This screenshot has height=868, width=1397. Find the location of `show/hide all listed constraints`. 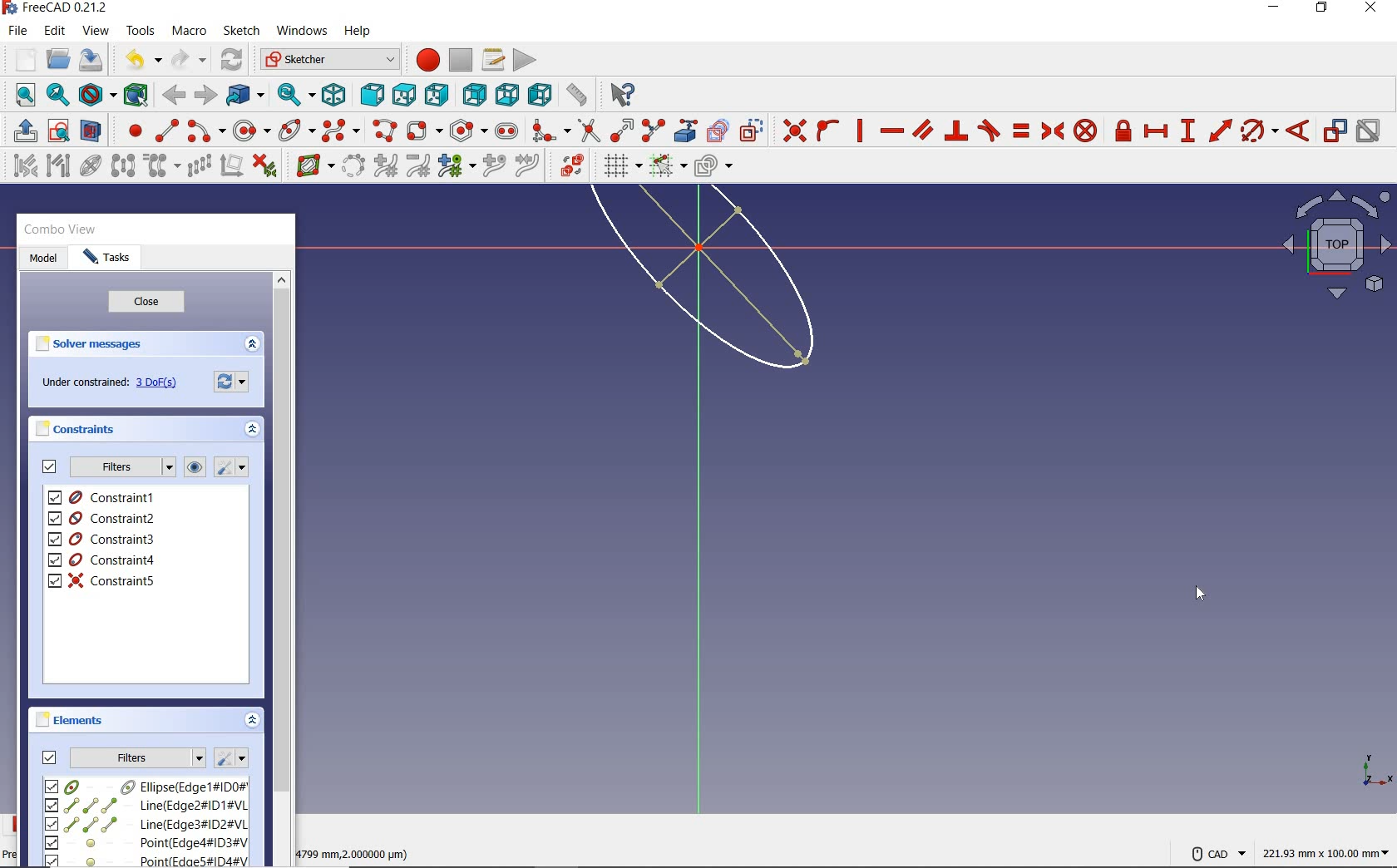

show/hide all listed constraints is located at coordinates (192, 468).